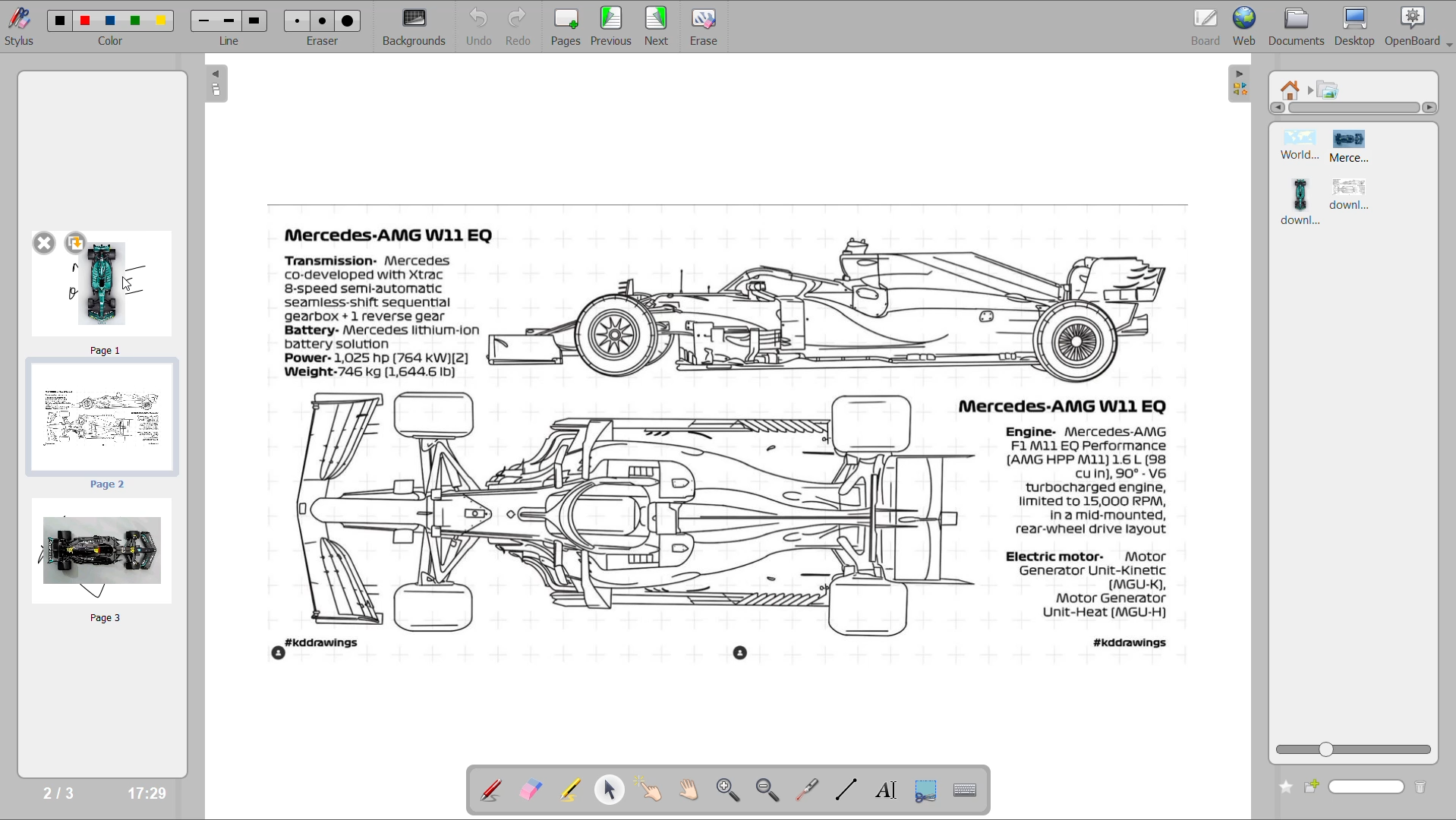 The image size is (1456, 820). What do you see at coordinates (887, 791) in the screenshot?
I see `write text` at bounding box center [887, 791].